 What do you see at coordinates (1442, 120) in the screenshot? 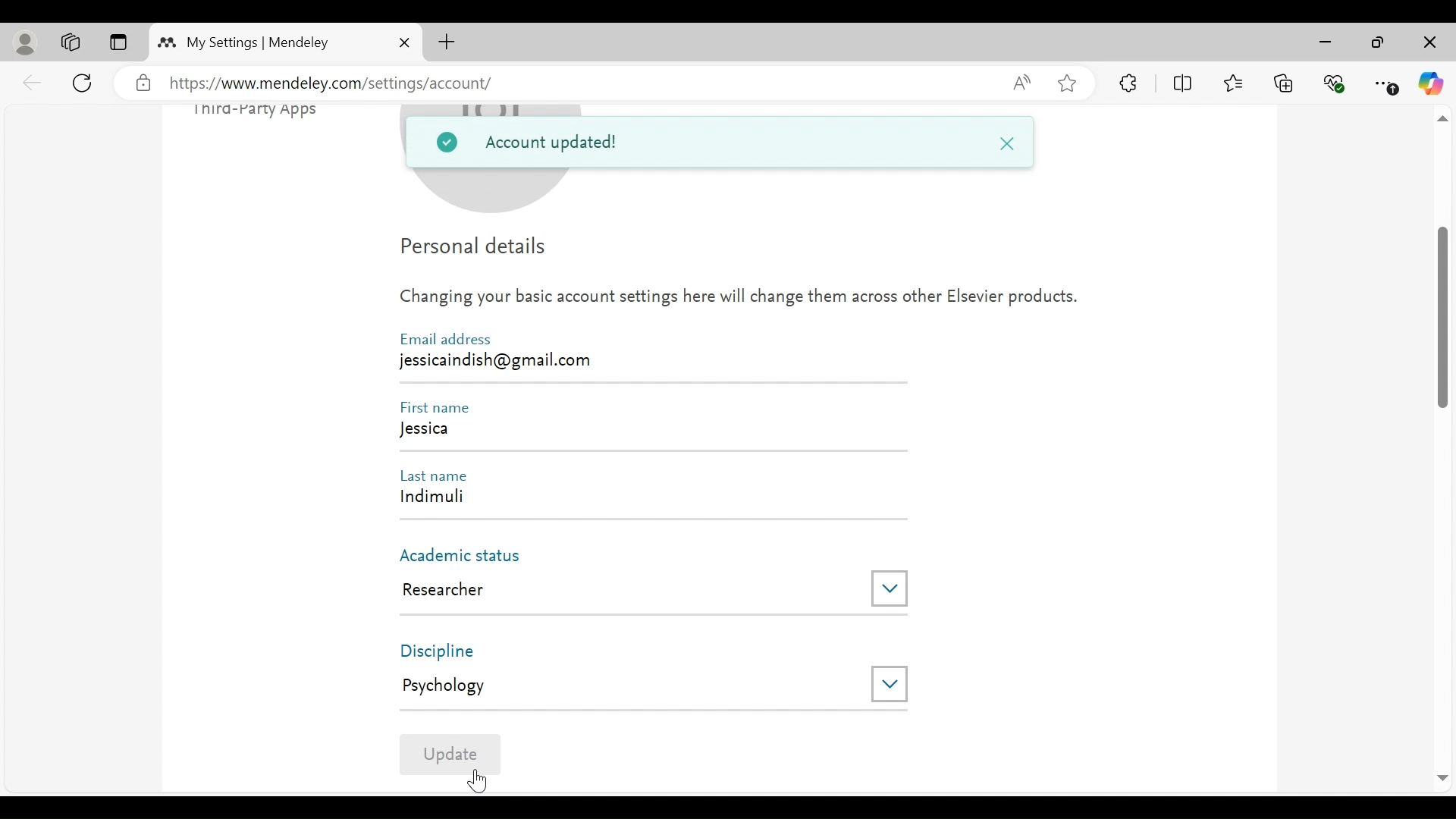
I see `scroll up` at bounding box center [1442, 120].